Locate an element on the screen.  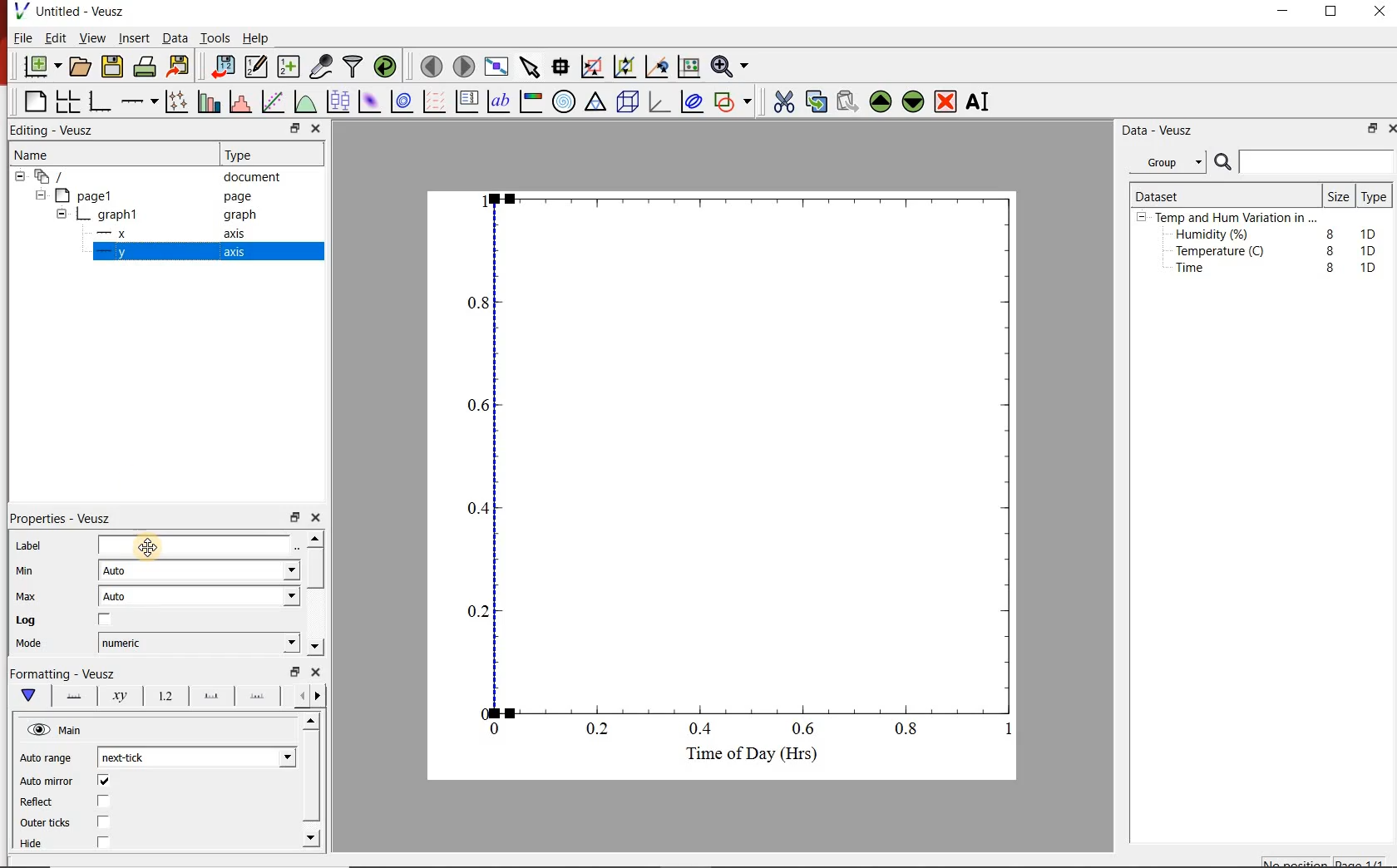
add an axis to a plot is located at coordinates (141, 100).